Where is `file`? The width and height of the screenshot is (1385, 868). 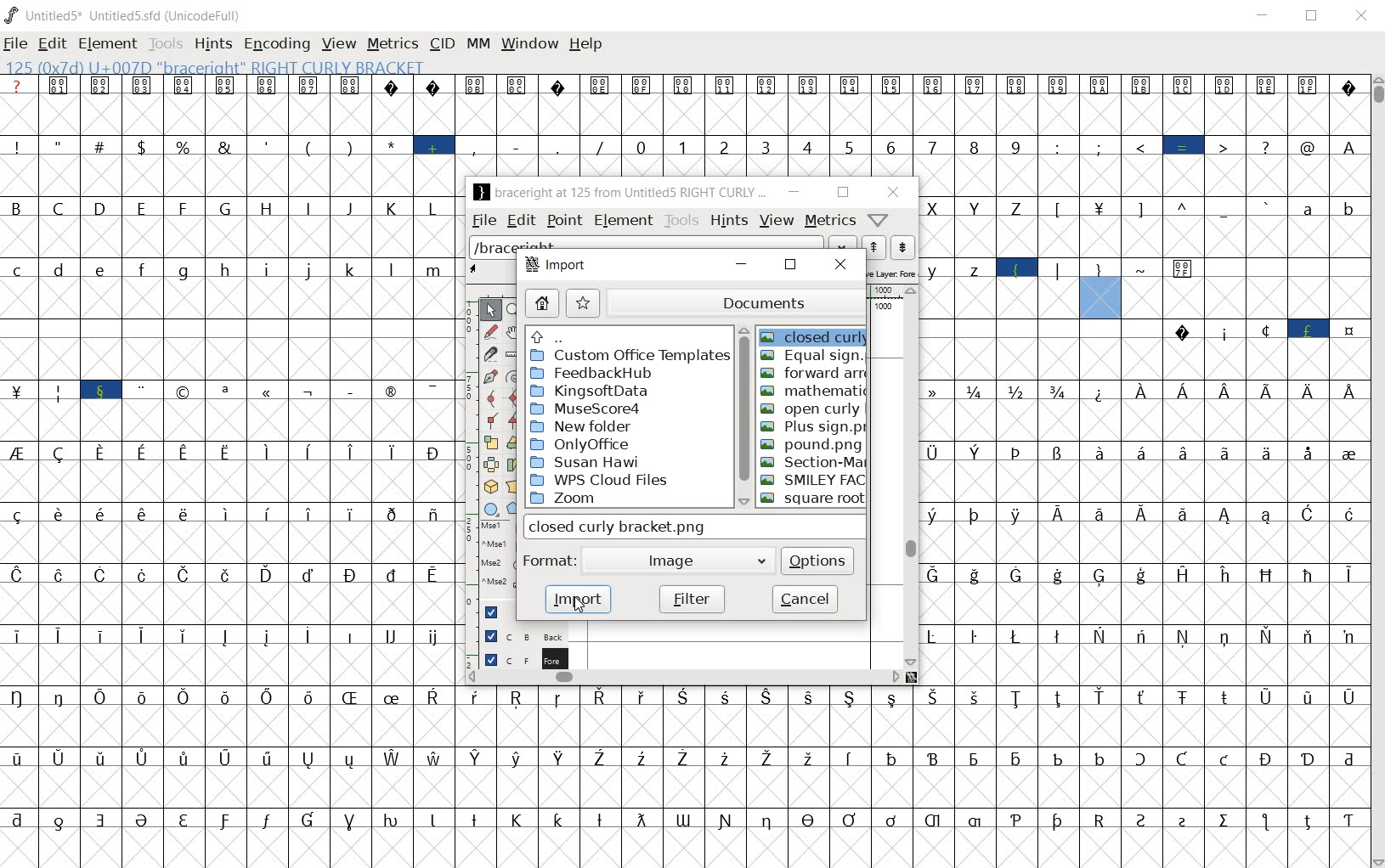
file is located at coordinates (483, 223).